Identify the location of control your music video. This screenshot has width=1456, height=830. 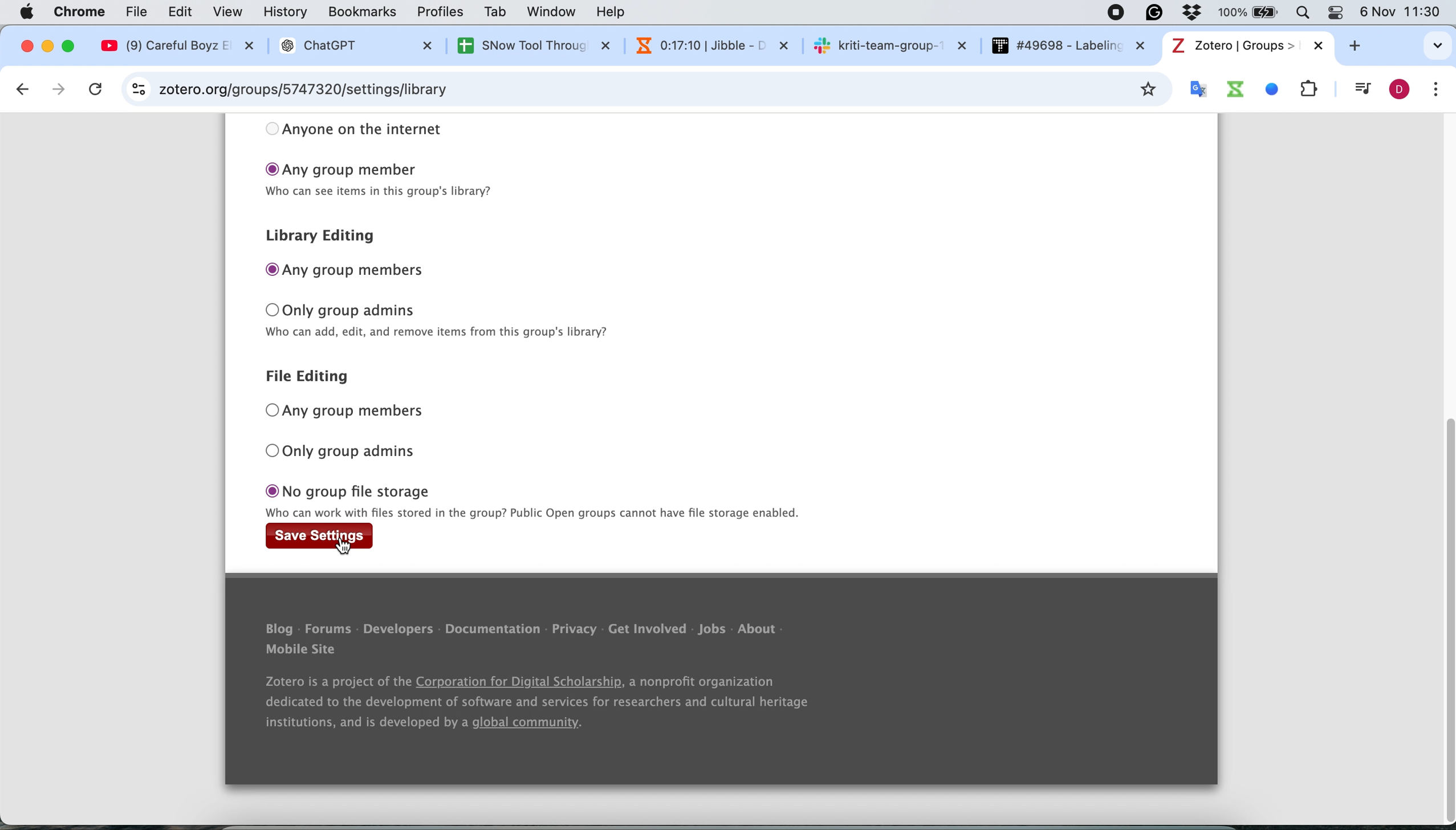
(1359, 89).